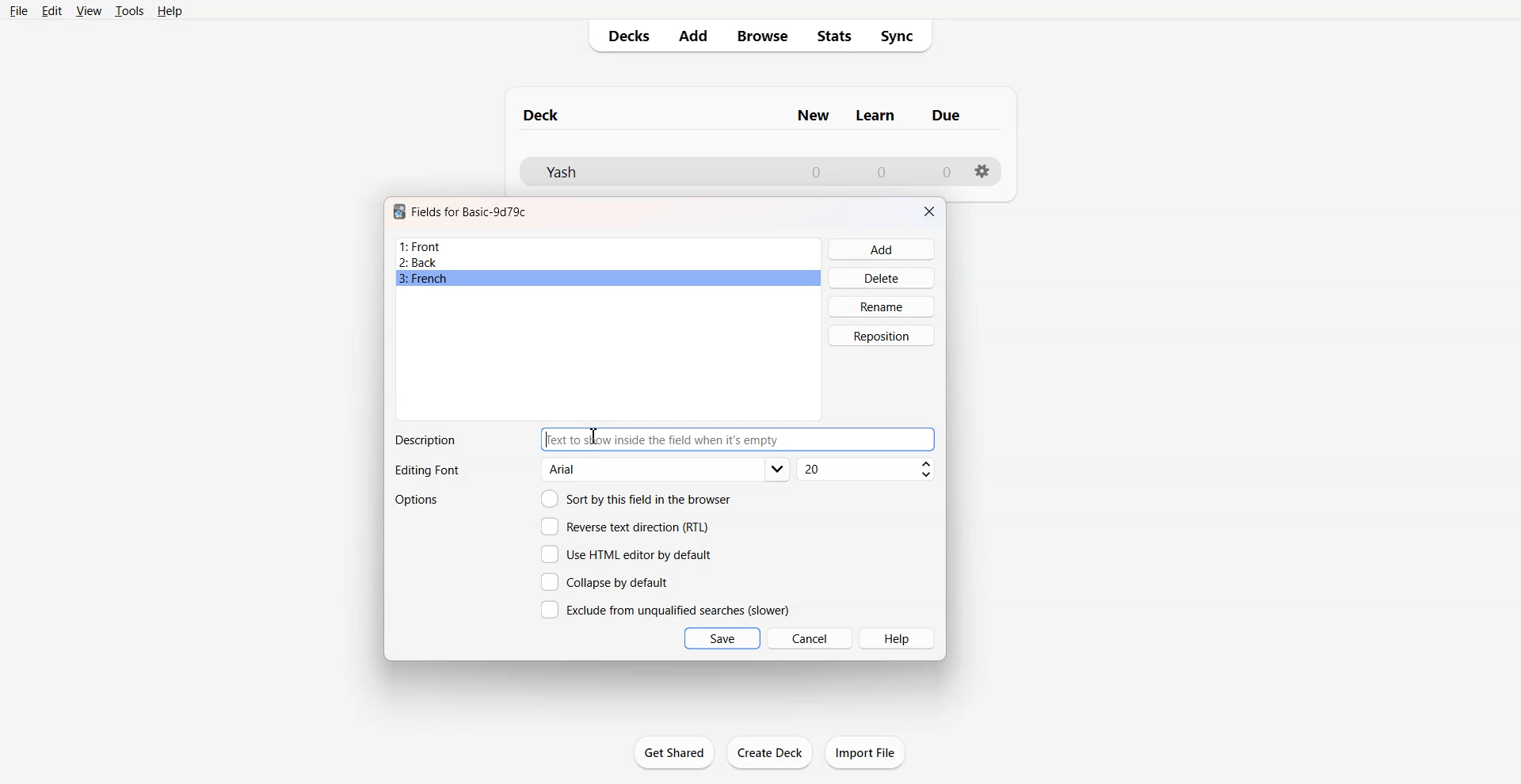 The image size is (1521, 784). Describe the element at coordinates (835, 36) in the screenshot. I see `Stats` at that location.